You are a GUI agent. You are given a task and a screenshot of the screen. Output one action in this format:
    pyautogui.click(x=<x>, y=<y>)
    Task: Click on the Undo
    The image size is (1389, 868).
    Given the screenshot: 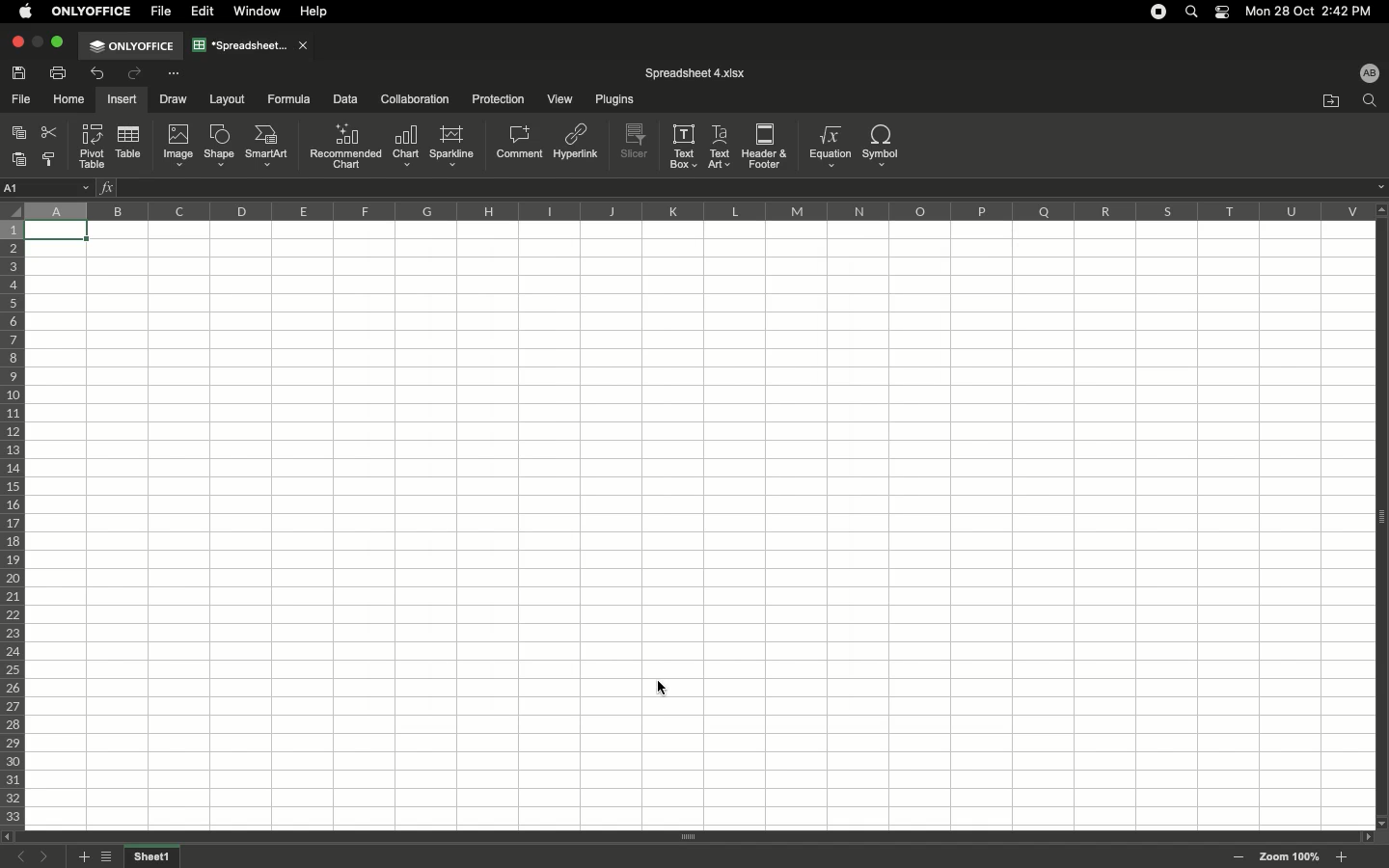 What is the action you would take?
    pyautogui.click(x=99, y=75)
    